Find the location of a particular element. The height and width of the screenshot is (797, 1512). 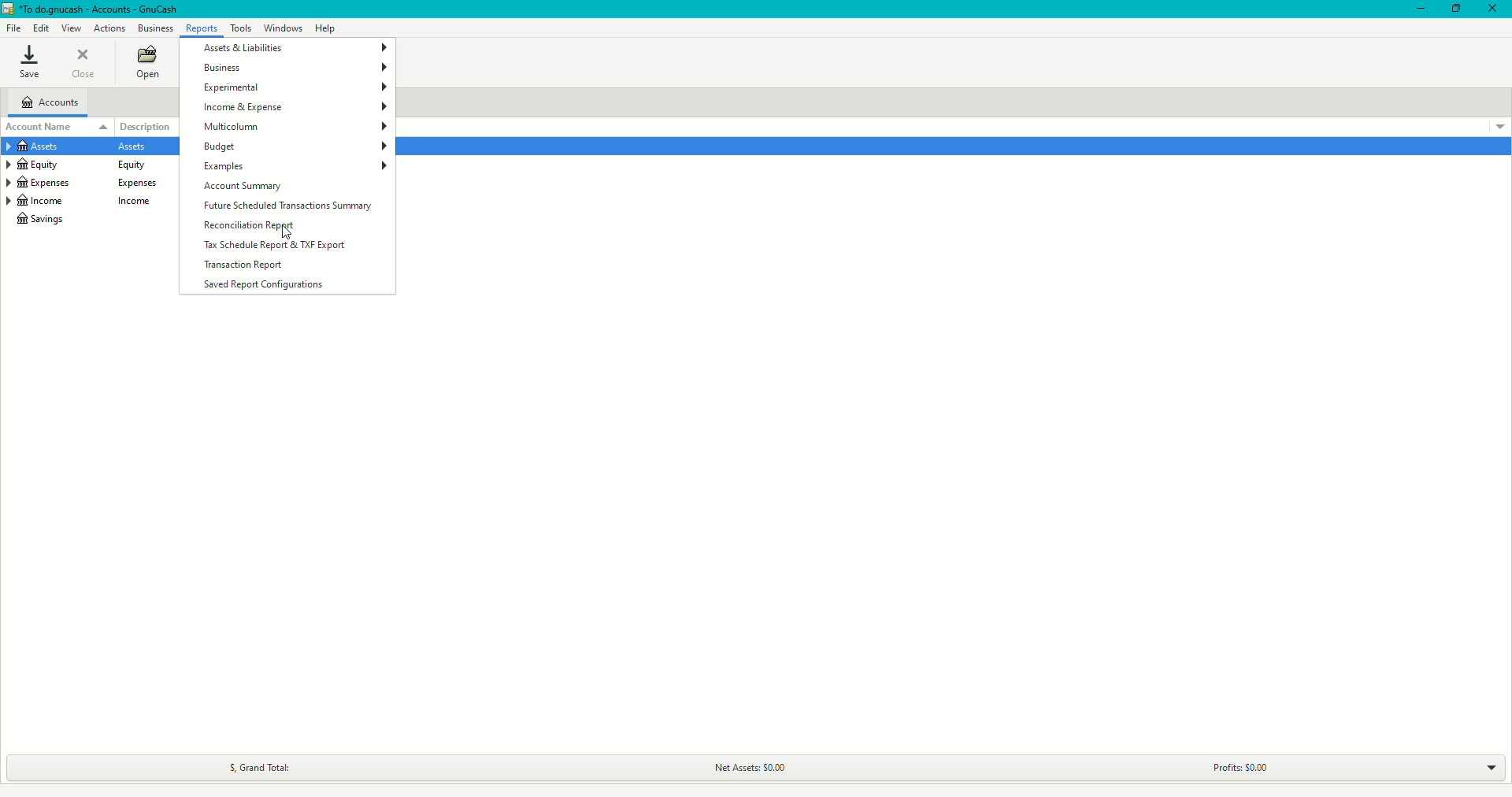

Close is located at coordinates (1492, 9).